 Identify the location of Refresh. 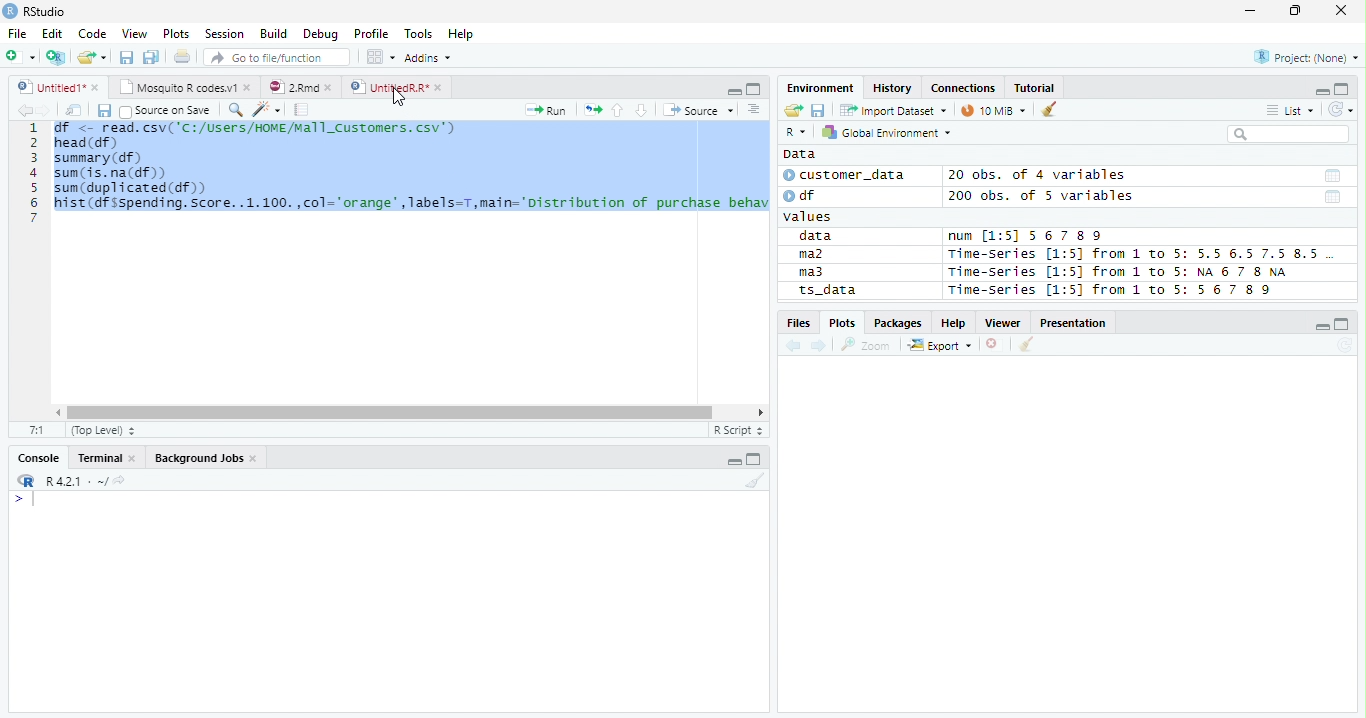
(1345, 346).